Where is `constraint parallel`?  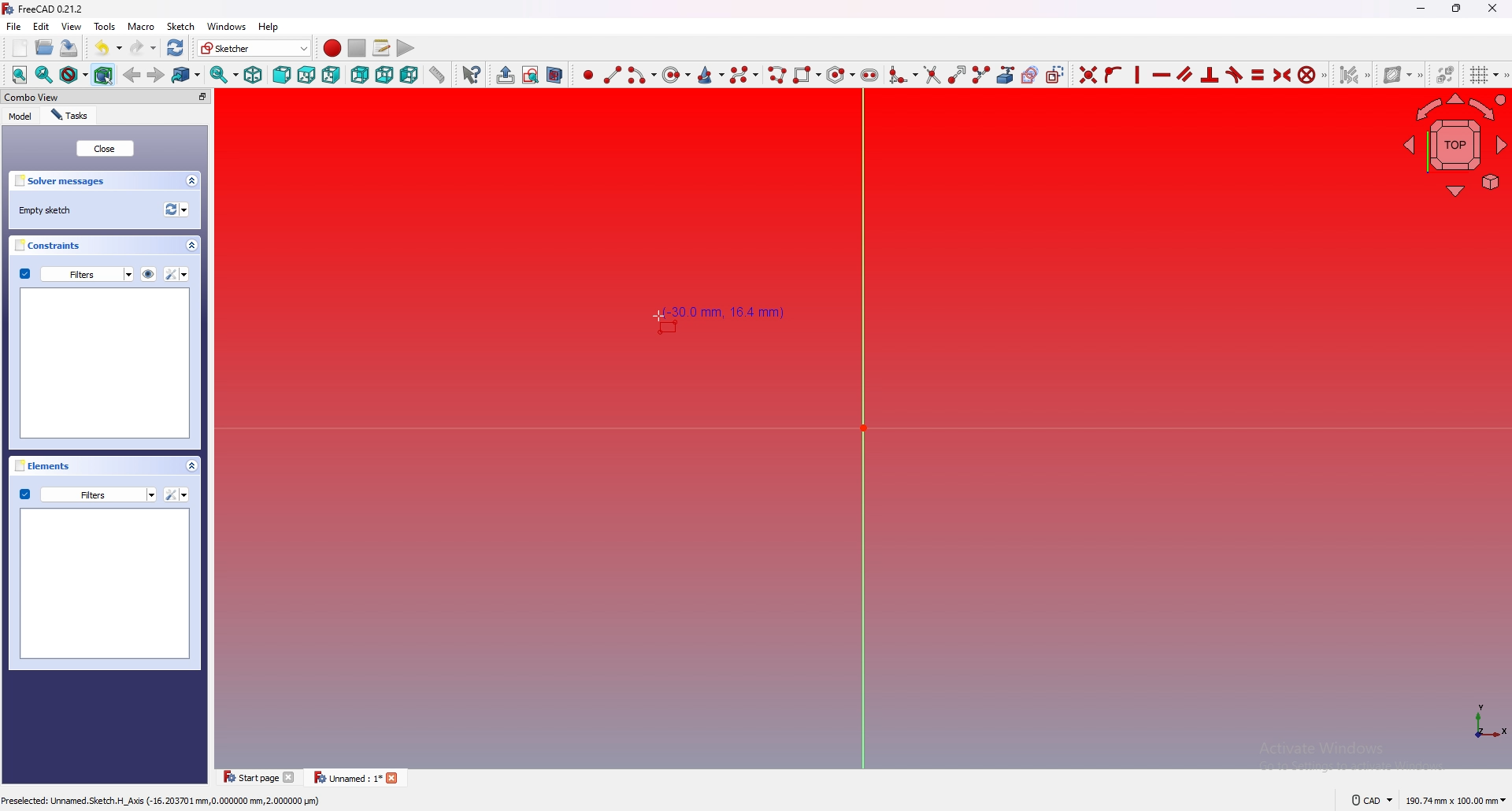
constraint parallel is located at coordinates (1186, 74).